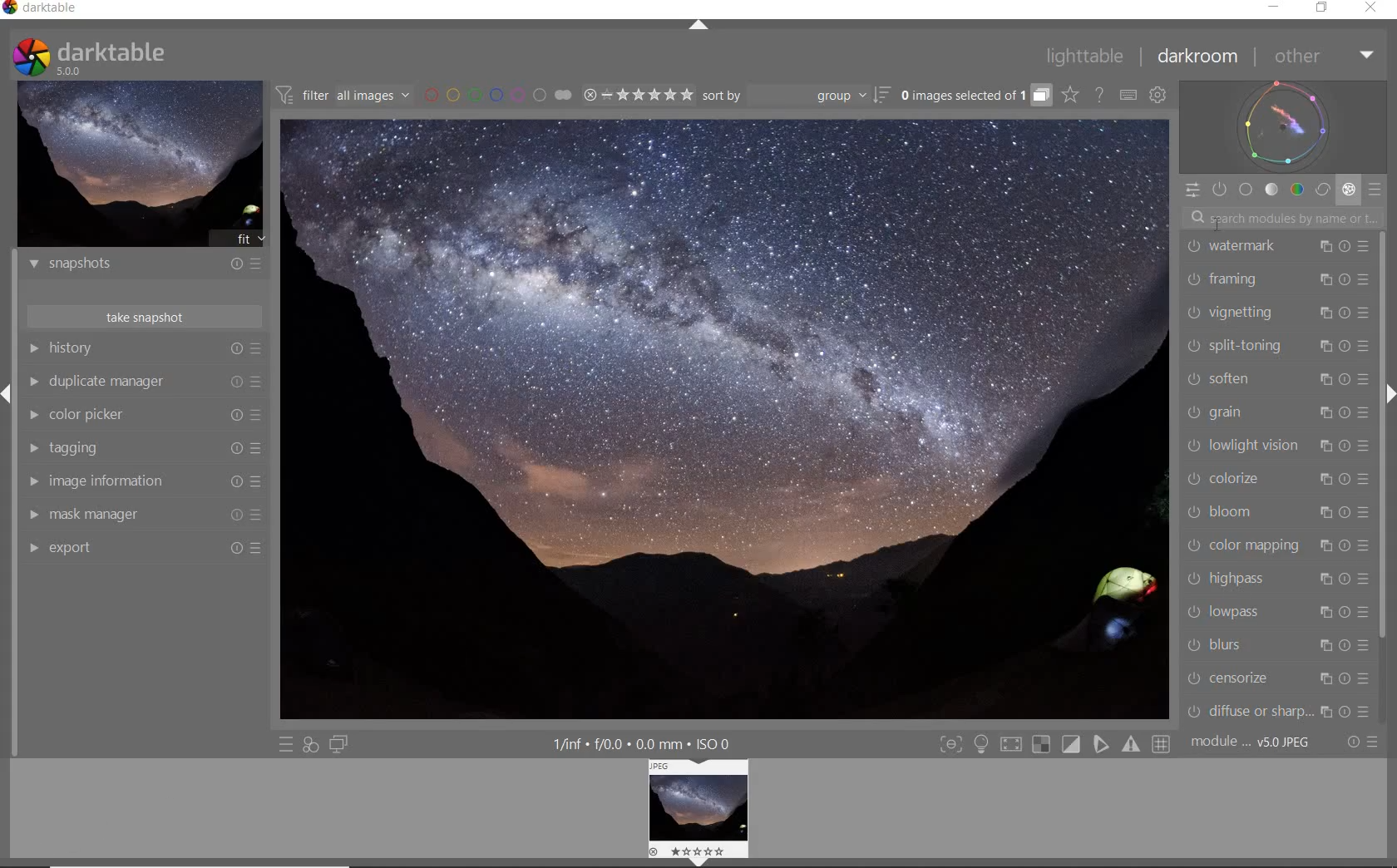 The height and width of the screenshot is (868, 1397). What do you see at coordinates (1325, 543) in the screenshot?
I see `multiple instance actions` at bounding box center [1325, 543].